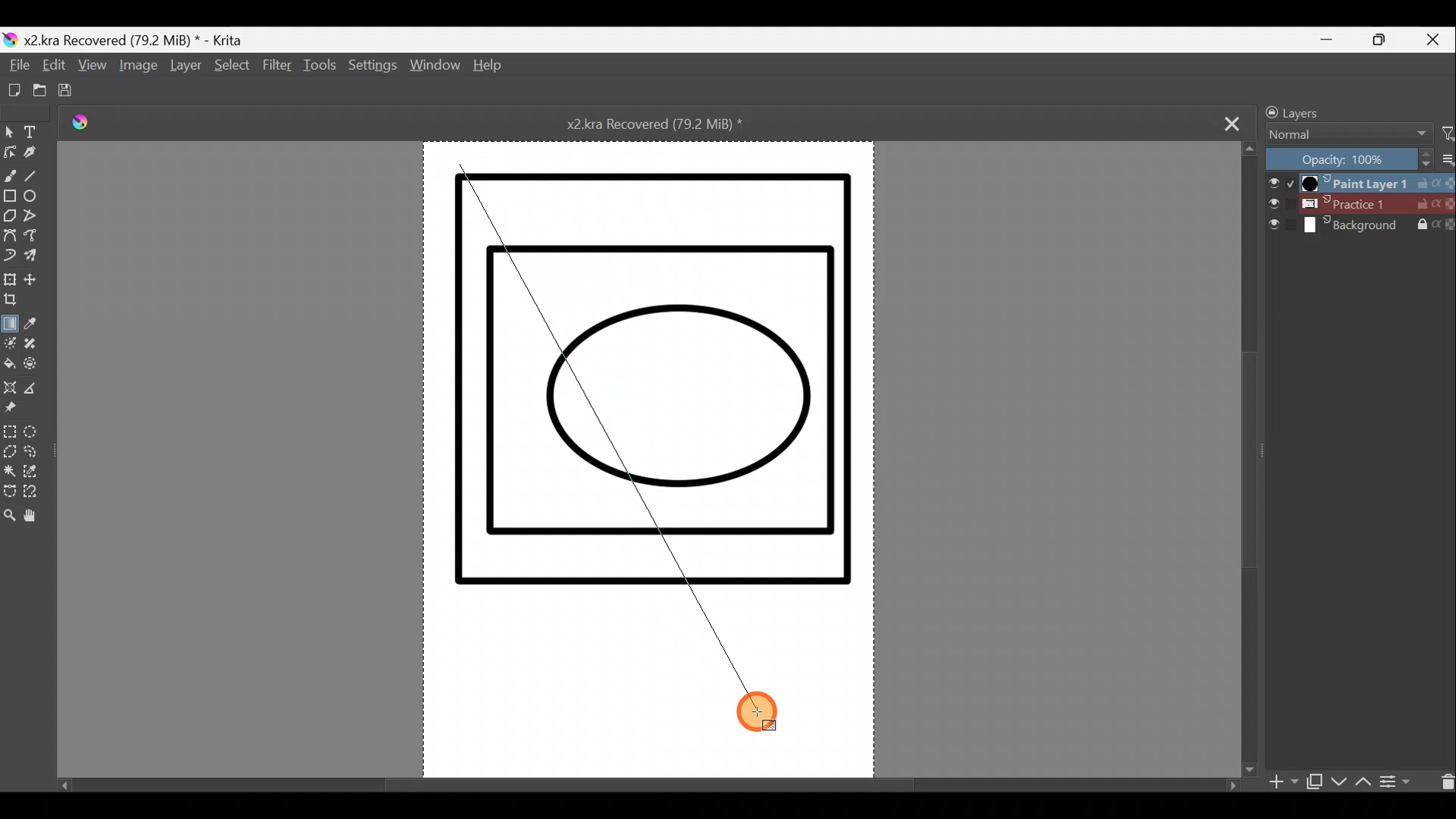 This screenshot has width=1456, height=819. Describe the element at coordinates (34, 178) in the screenshot. I see `Line tool` at that location.